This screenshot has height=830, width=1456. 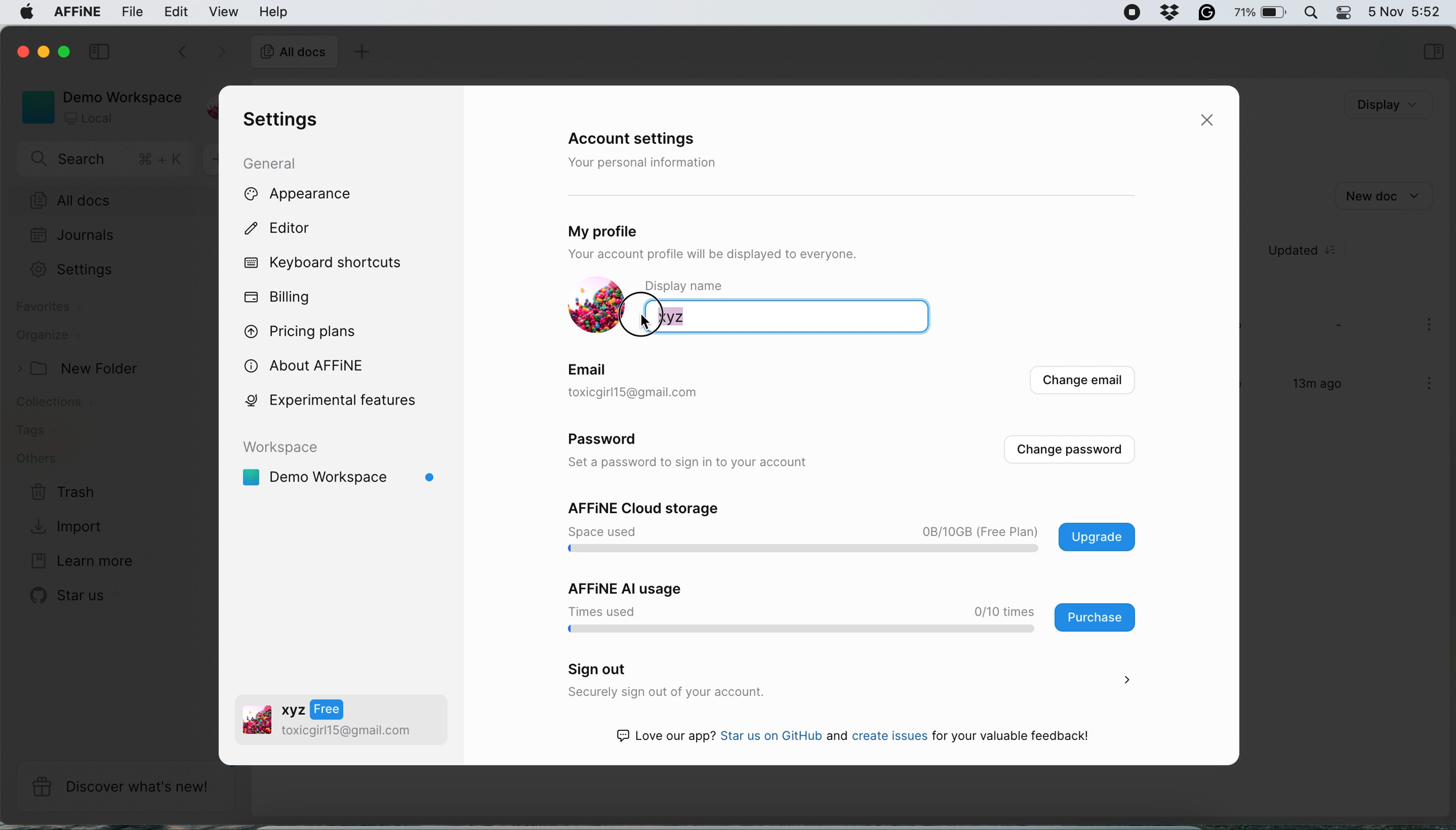 I want to click on xyz, so click(x=719, y=316).